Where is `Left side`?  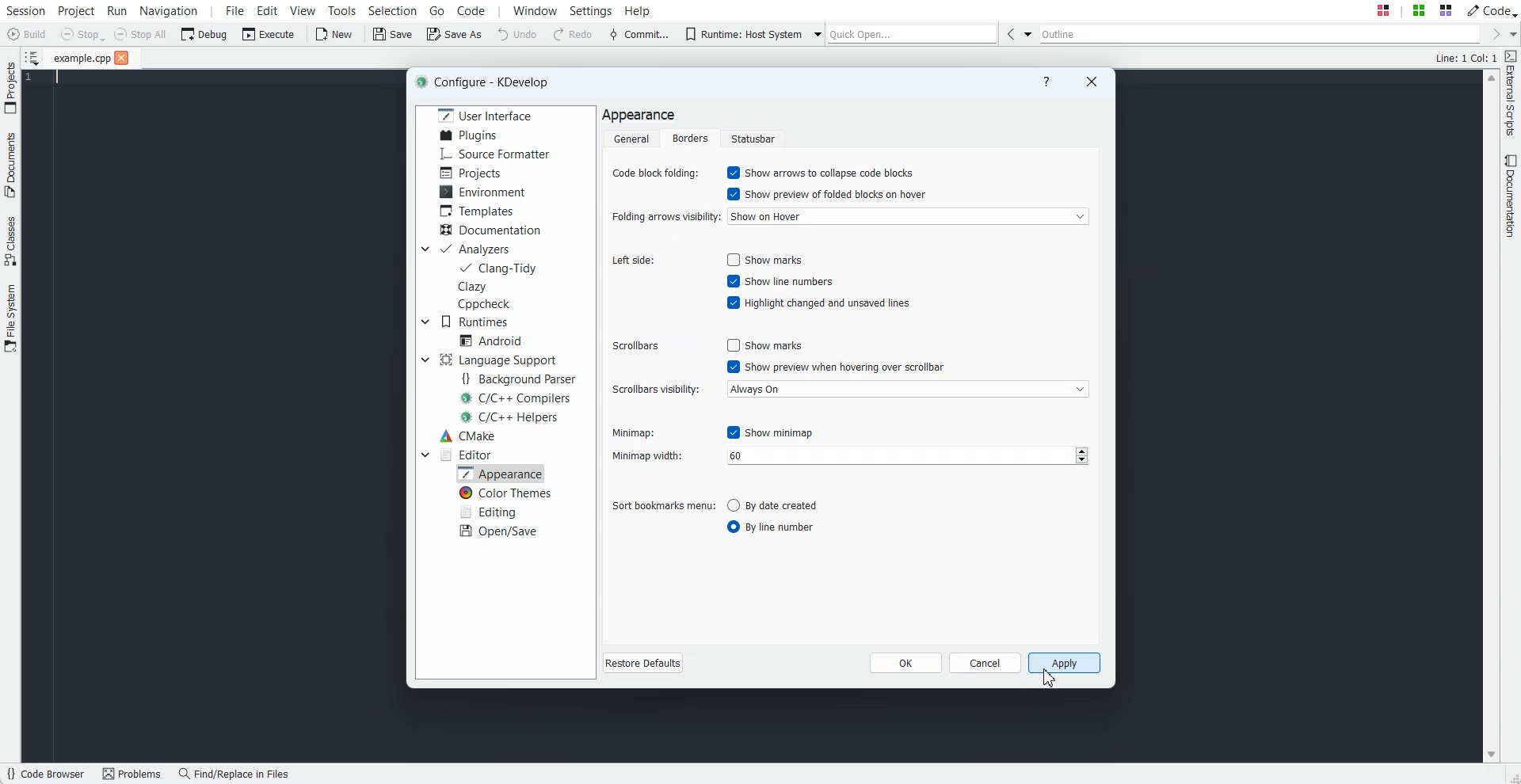 Left side is located at coordinates (634, 261).